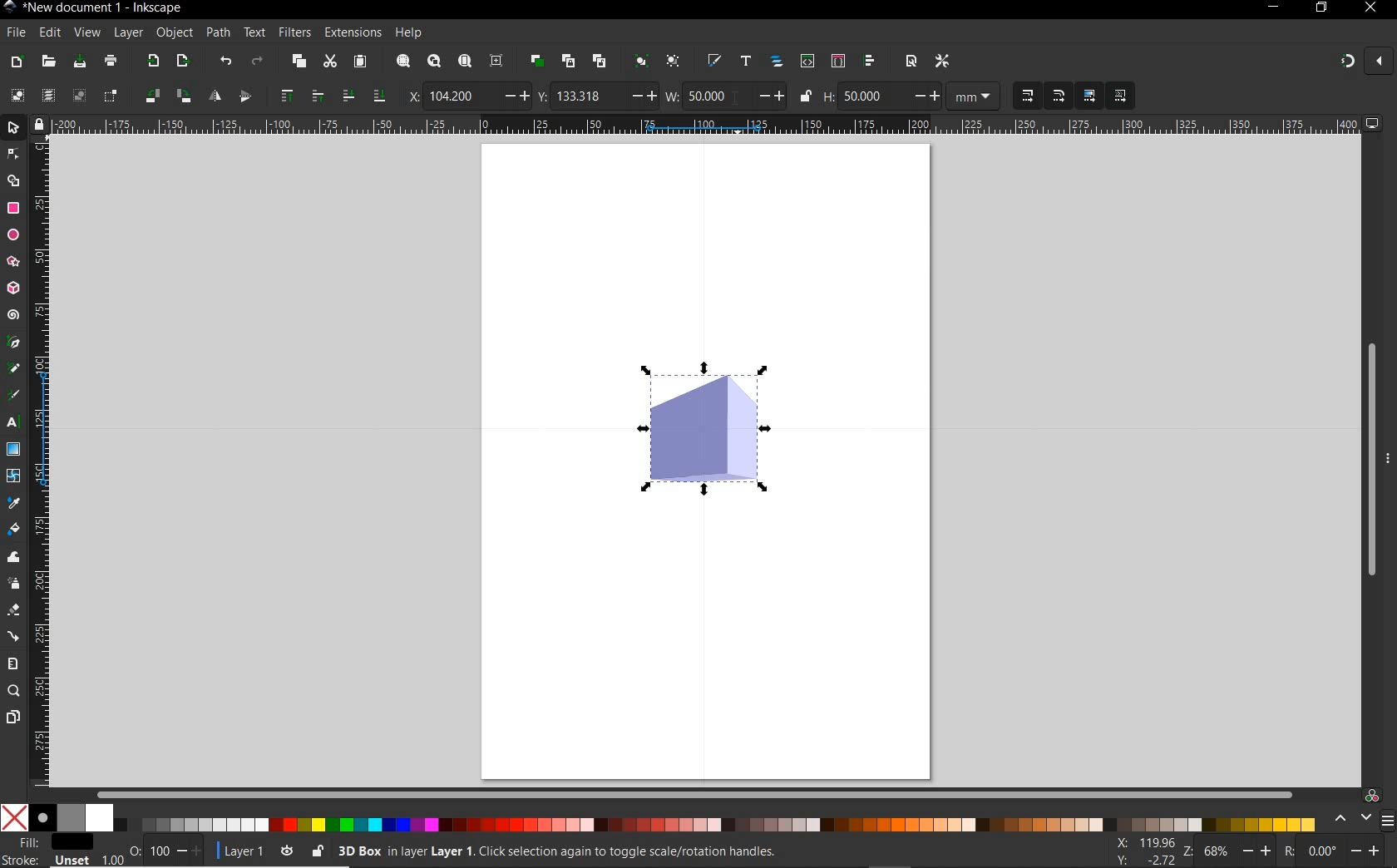 Image resolution: width=1397 pixels, height=868 pixels. Describe the element at coordinates (16, 33) in the screenshot. I see `file` at that location.